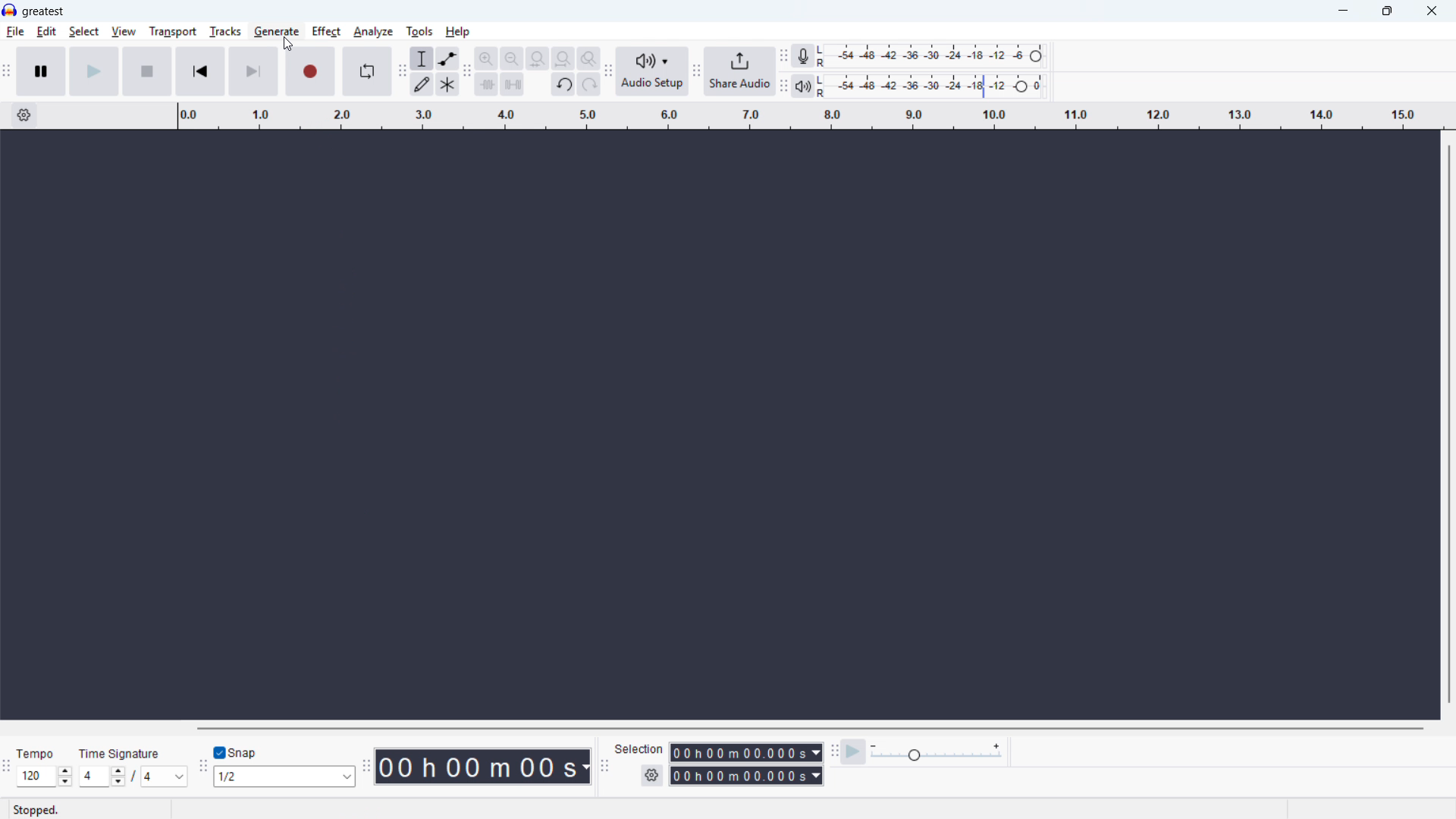 The image size is (1456, 819). I want to click on skip to end, so click(255, 71).